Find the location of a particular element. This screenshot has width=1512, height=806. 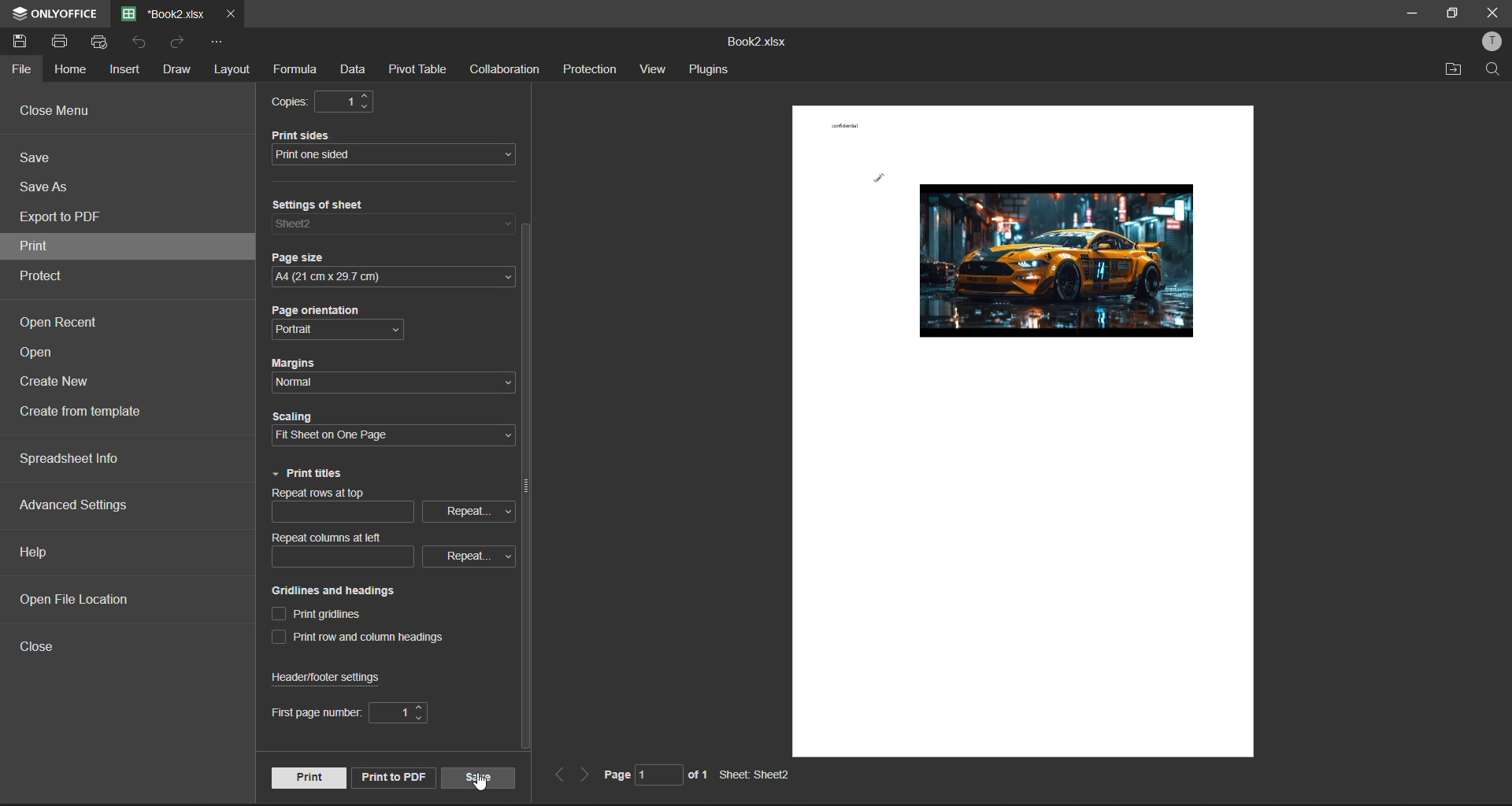

print titles is located at coordinates (308, 474).